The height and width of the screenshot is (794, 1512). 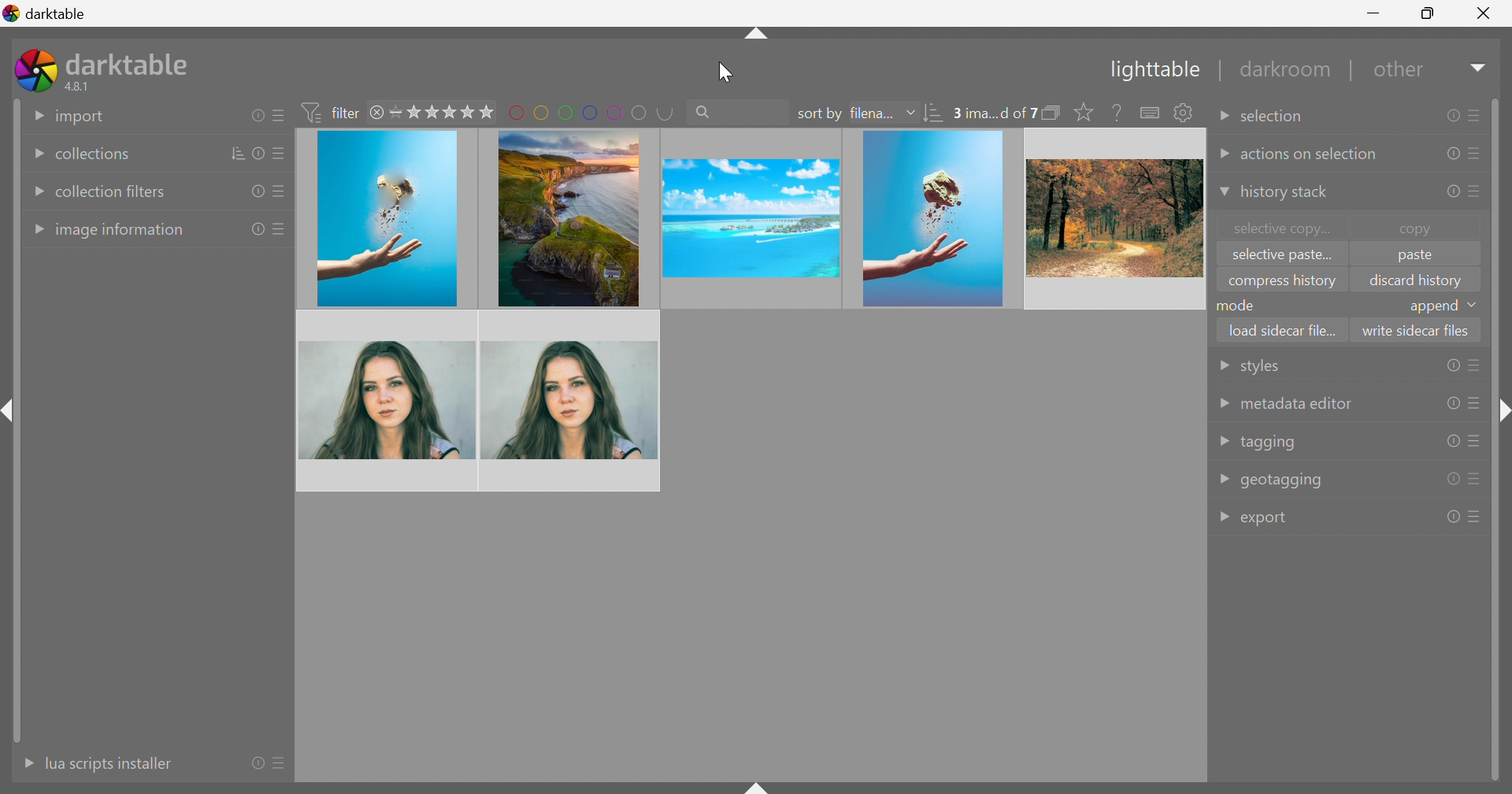 What do you see at coordinates (1429, 11) in the screenshot?
I see `Restore Down` at bounding box center [1429, 11].